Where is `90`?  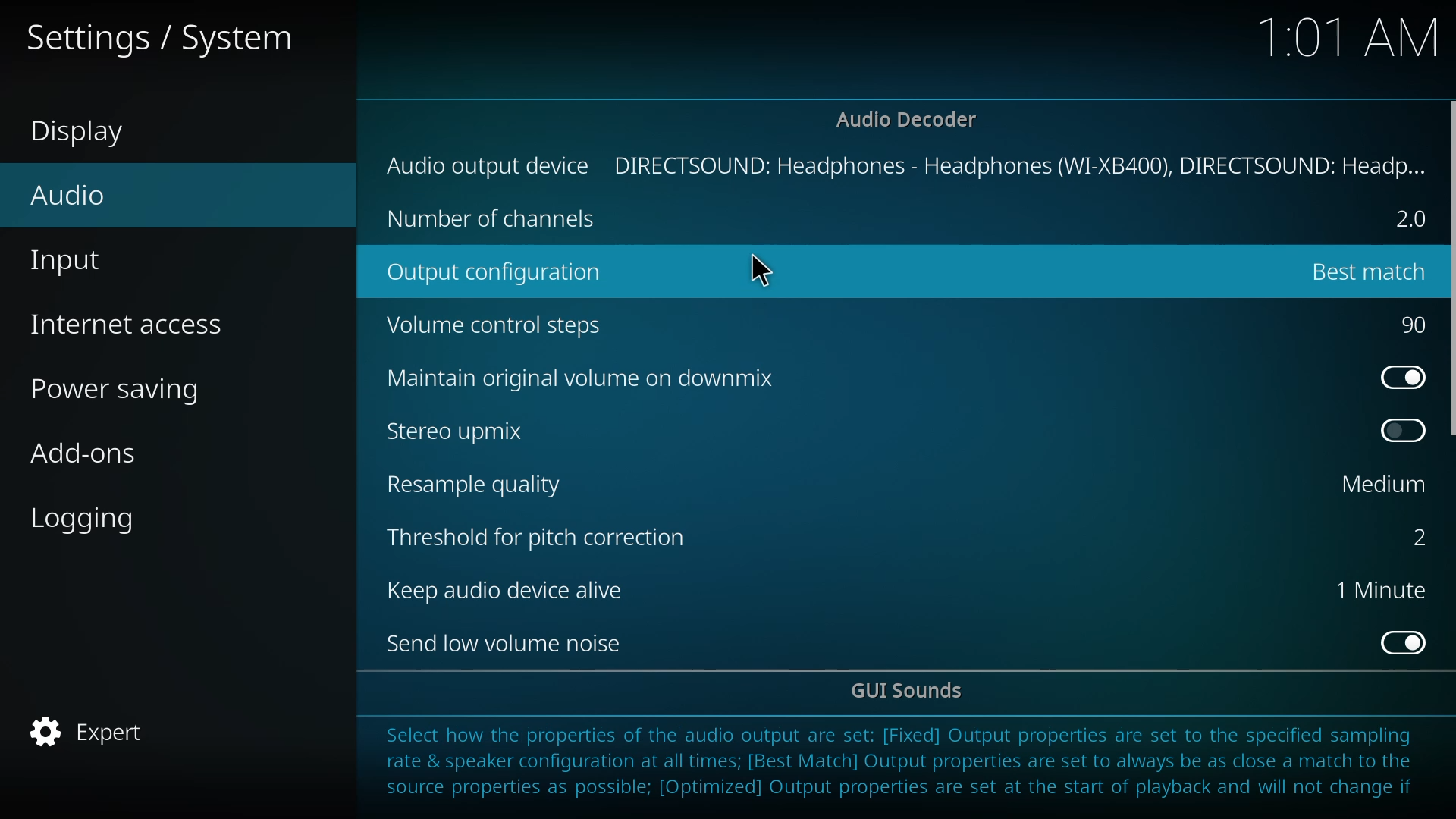
90 is located at coordinates (1413, 324).